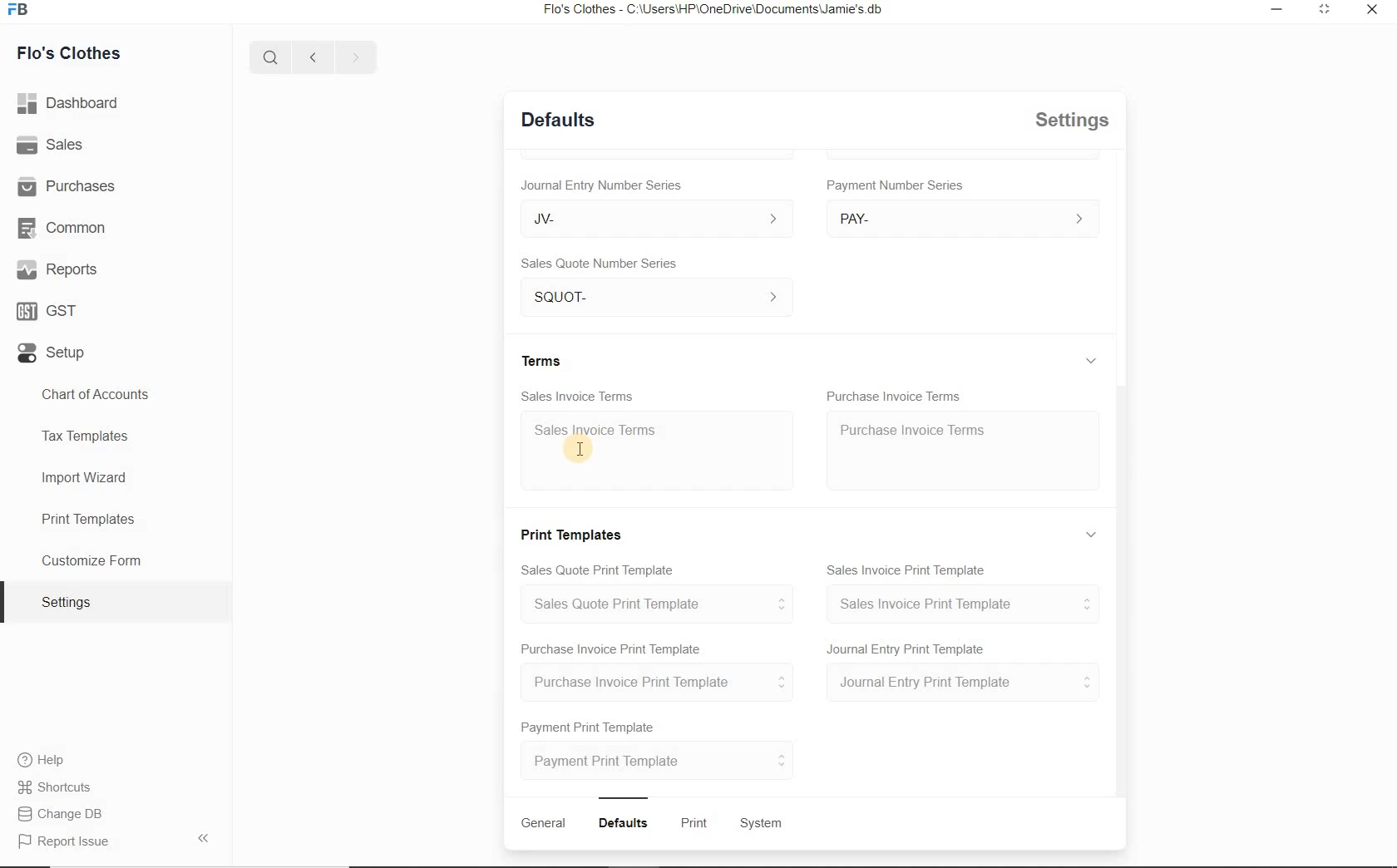 The height and width of the screenshot is (868, 1397). What do you see at coordinates (964, 604) in the screenshot?
I see `Sales Invoice Print Template` at bounding box center [964, 604].